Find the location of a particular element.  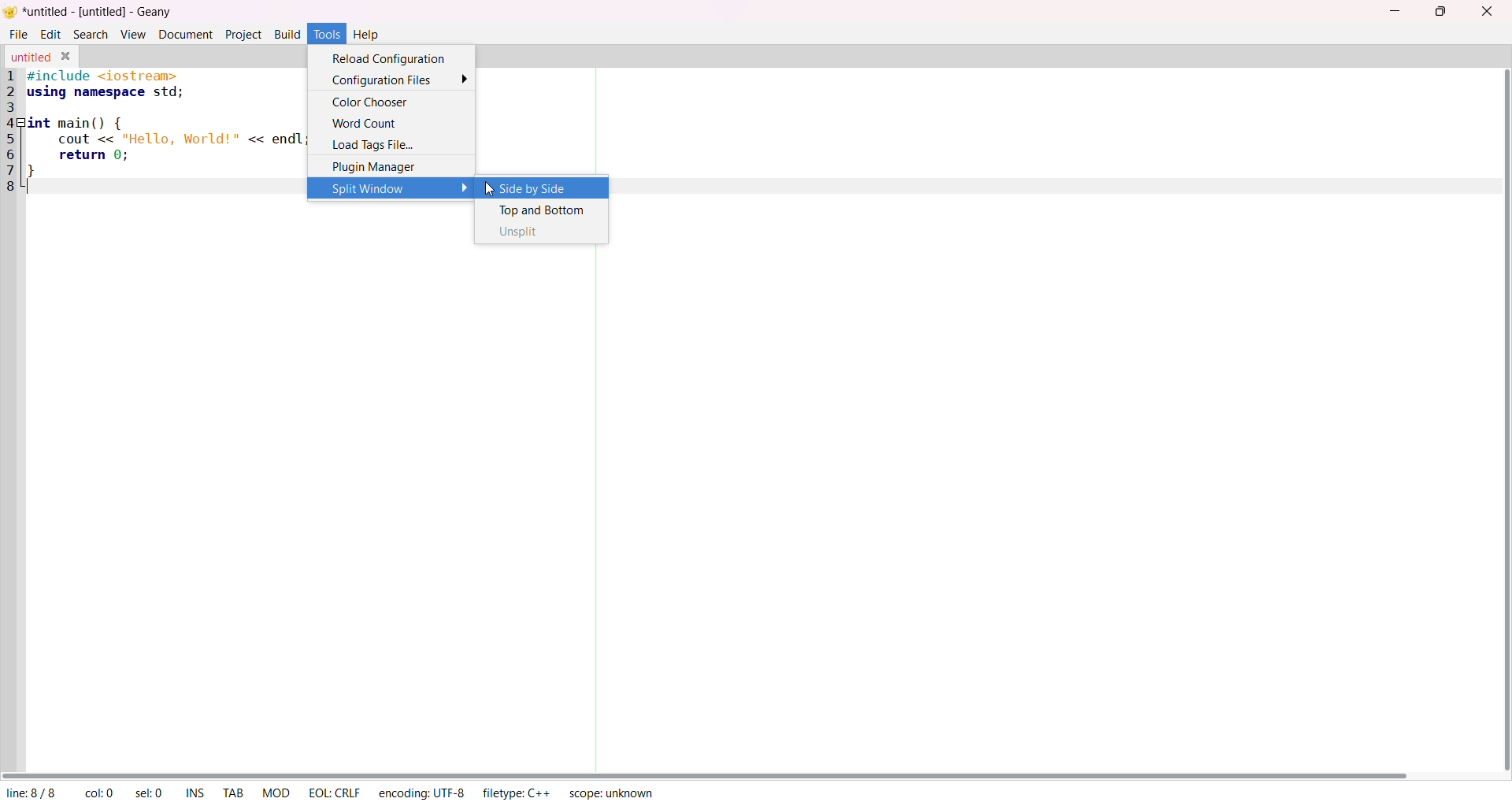

View is located at coordinates (134, 34).